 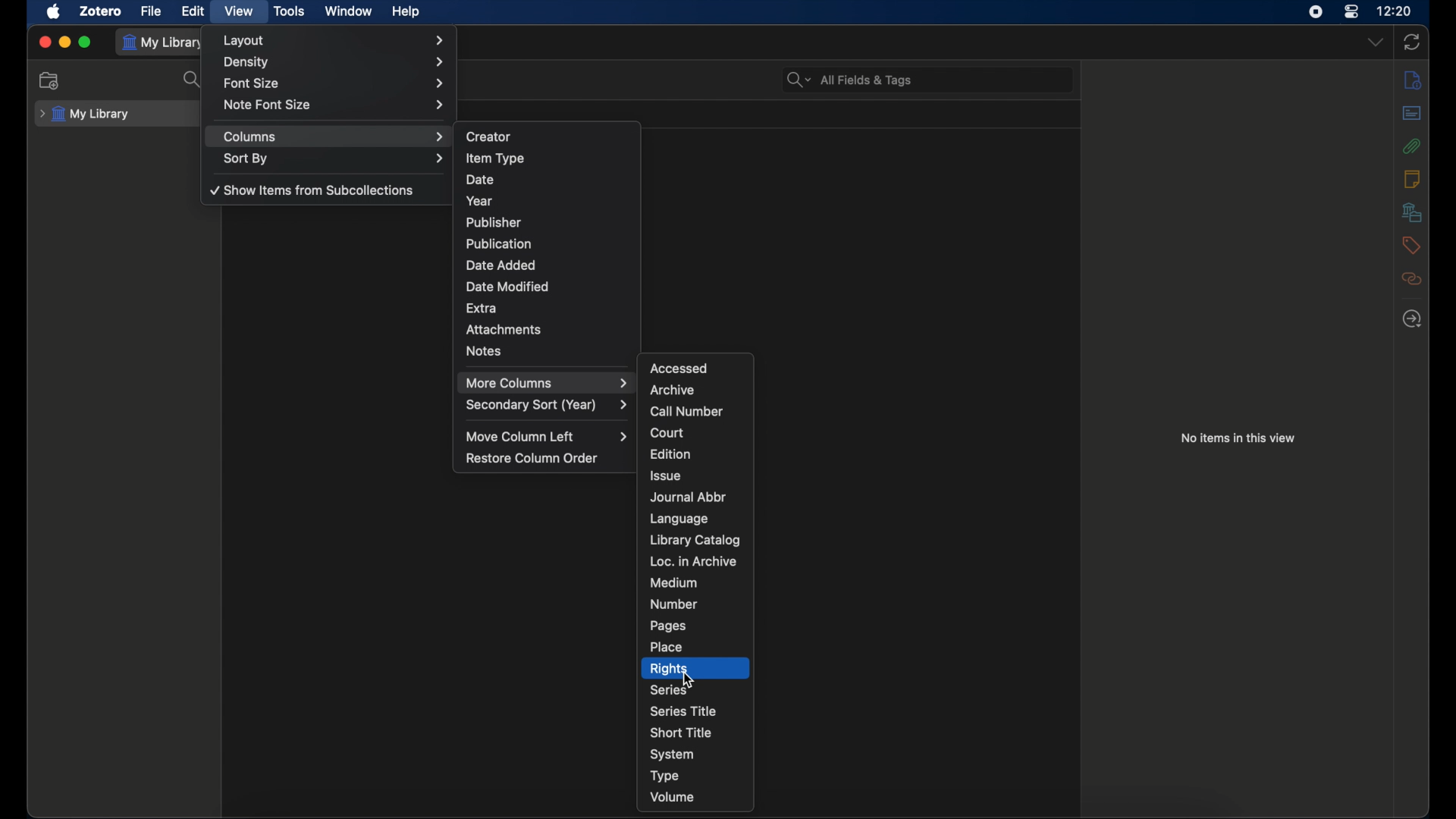 What do you see at coordinates (1414, 80) in the screenshot?
I see `info` at bounding box center [1414, 80].